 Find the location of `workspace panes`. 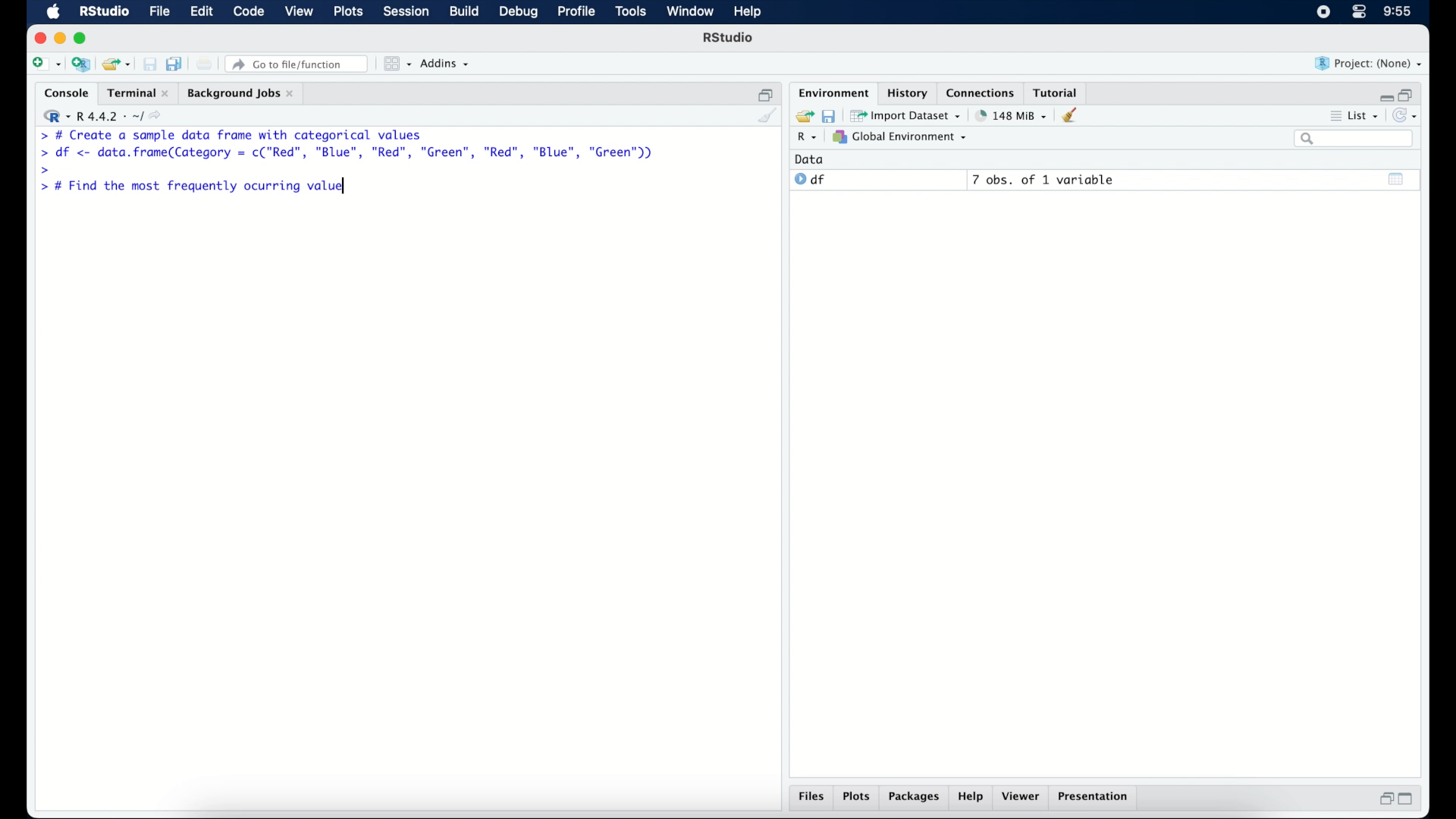

workspace panes is located at coordinates (397, 64).